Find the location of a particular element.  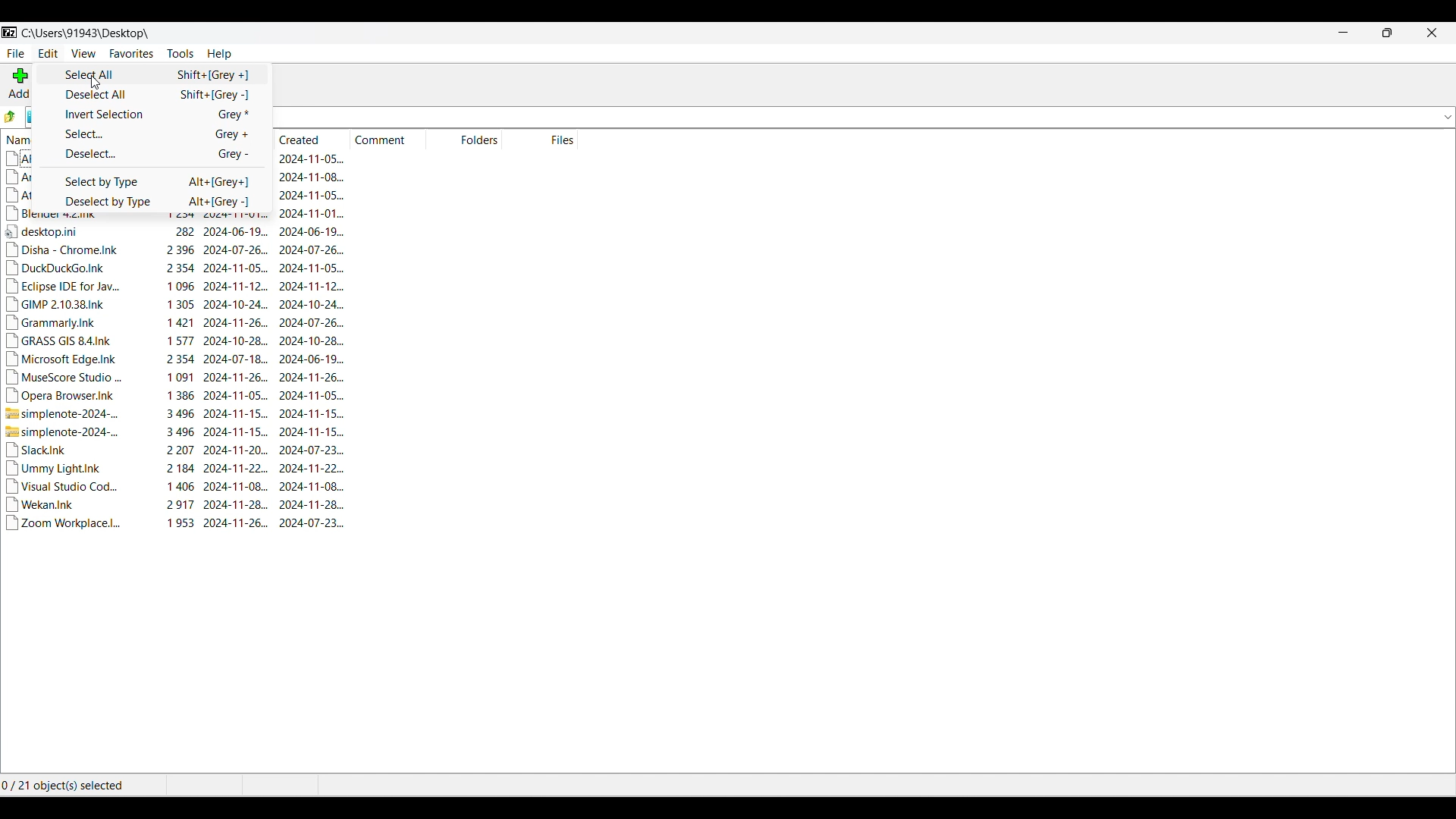

Favorites menu is located at coordinates (131, 54).